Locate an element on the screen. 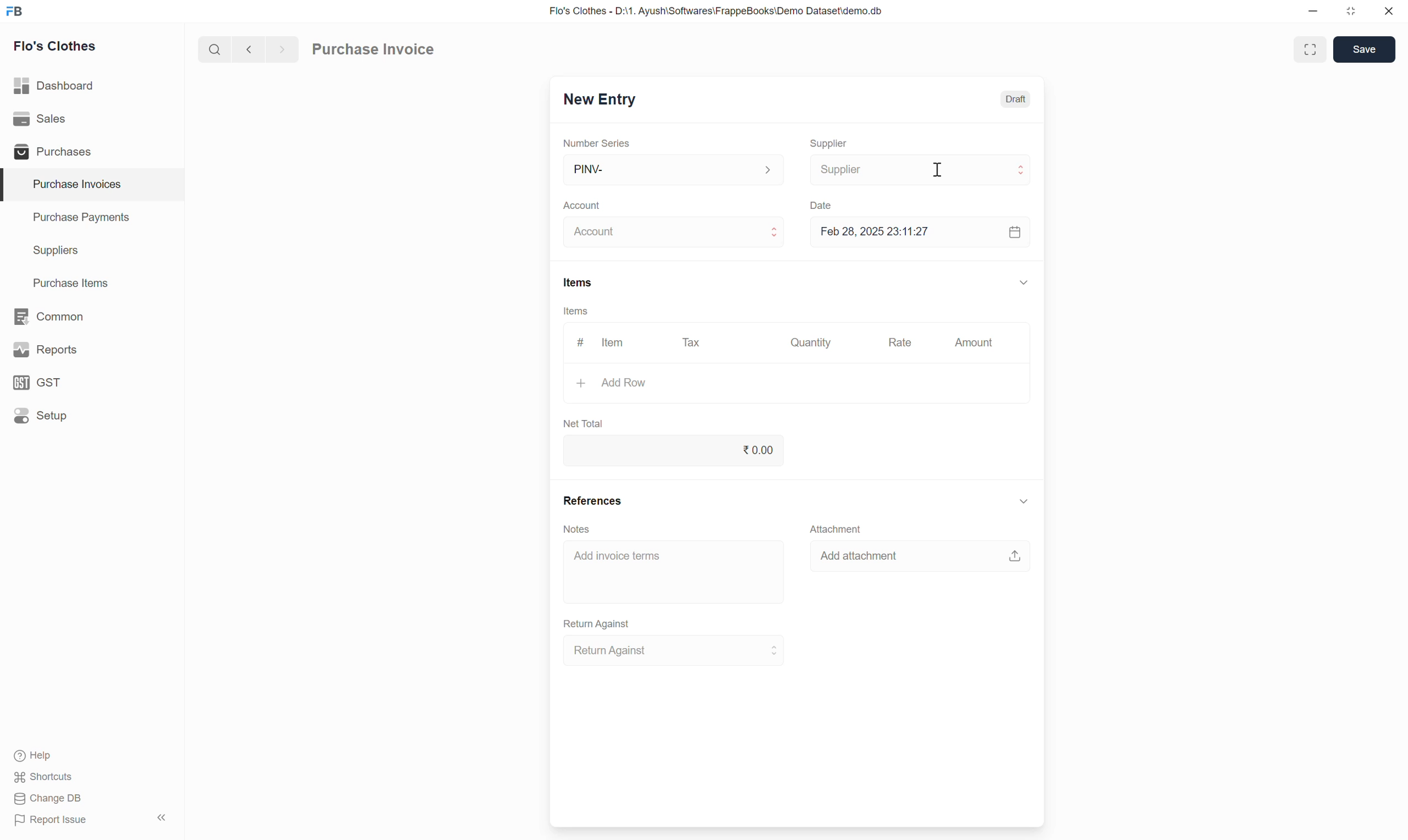  Account is located at coordinates (583, 206).